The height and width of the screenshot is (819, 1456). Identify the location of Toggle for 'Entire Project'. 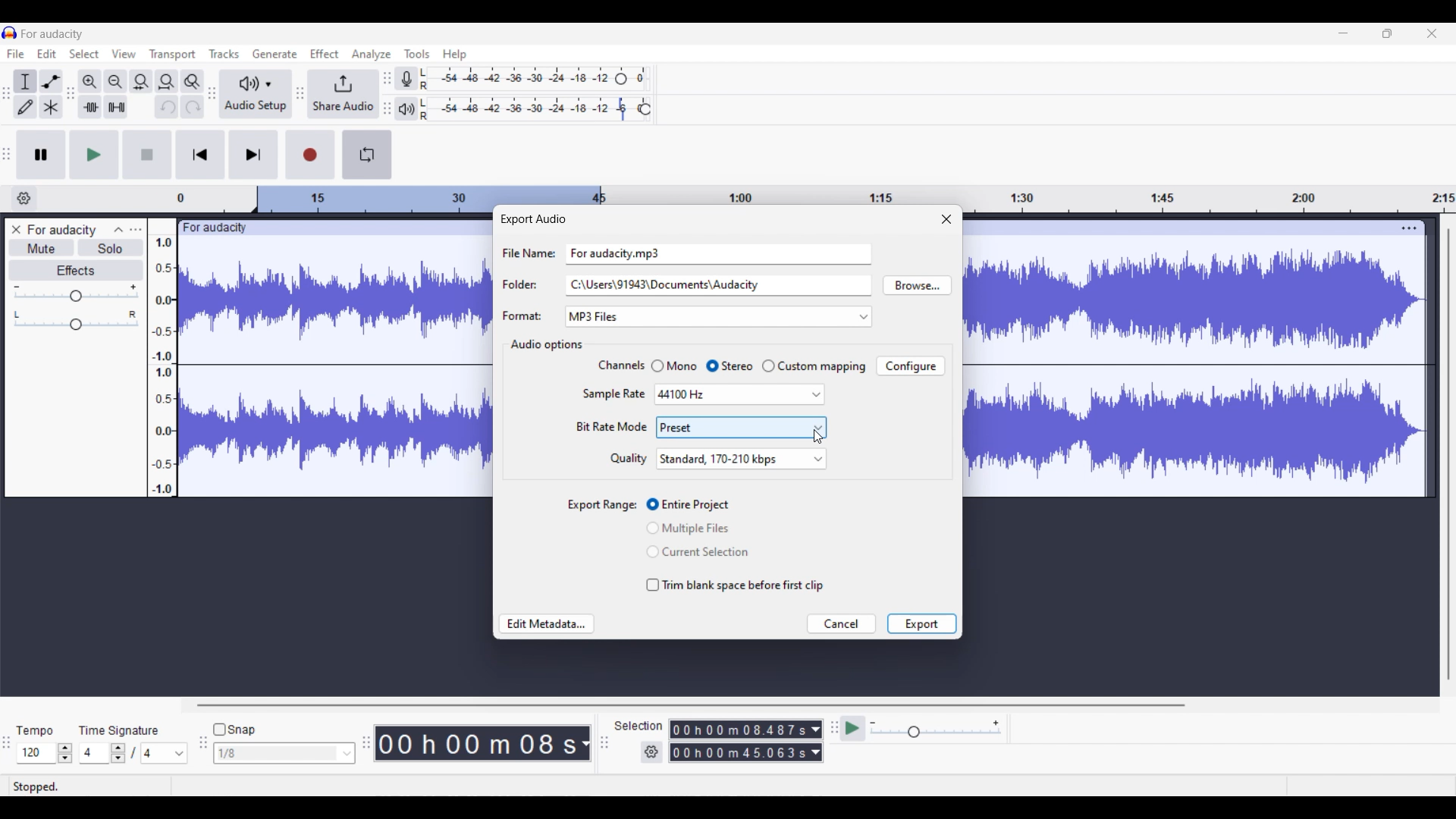
(699, 505).